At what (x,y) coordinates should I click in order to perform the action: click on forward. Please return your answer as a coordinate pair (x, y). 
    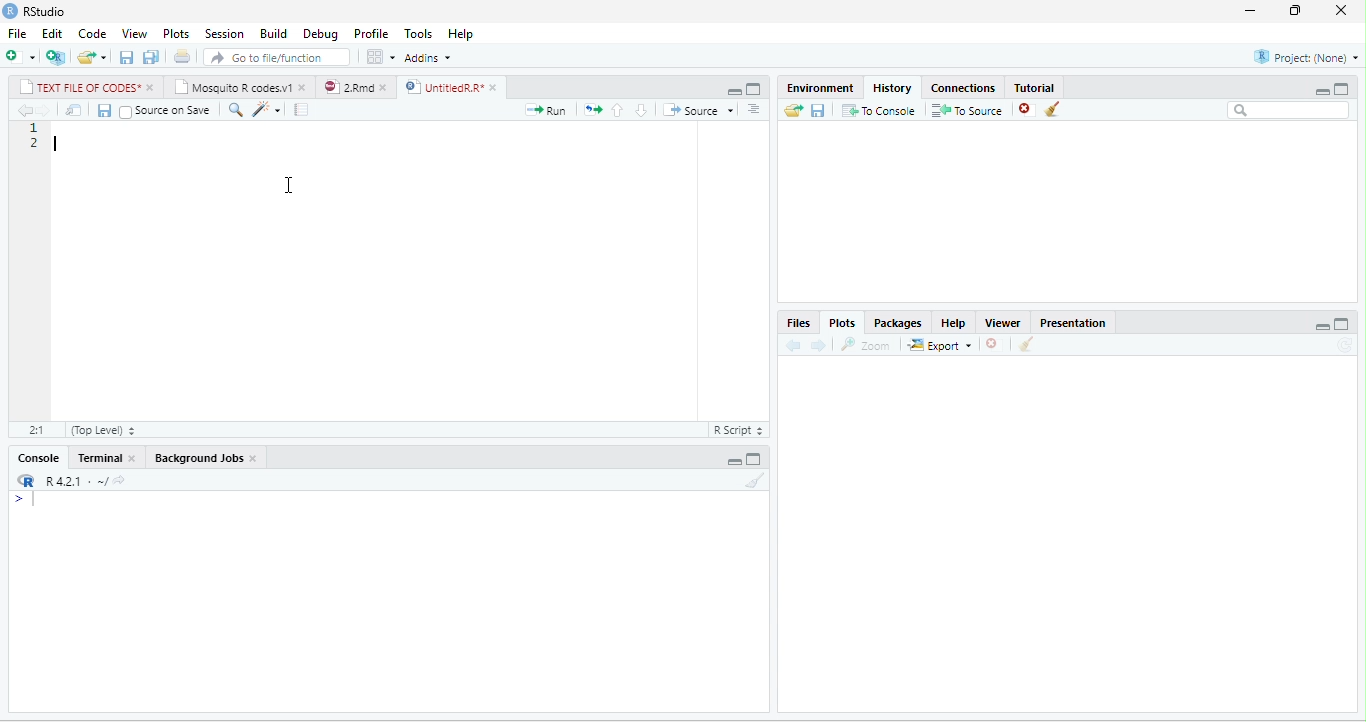
    Looking at the image, I should click on (818, 346).